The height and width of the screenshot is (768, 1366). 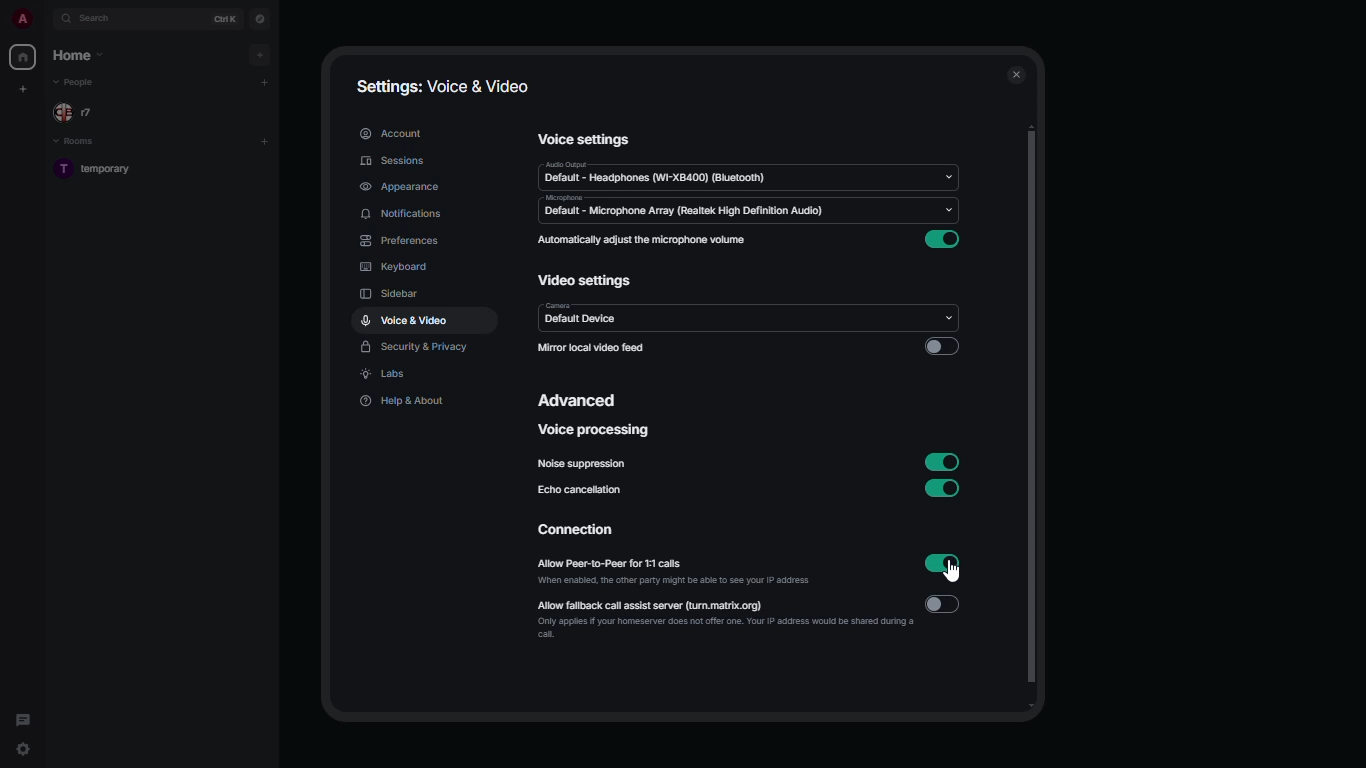 What do you see at coordinates (1033, 418) in the screenshot?
I see `scroll bar` at bounding box center [1033, 418].